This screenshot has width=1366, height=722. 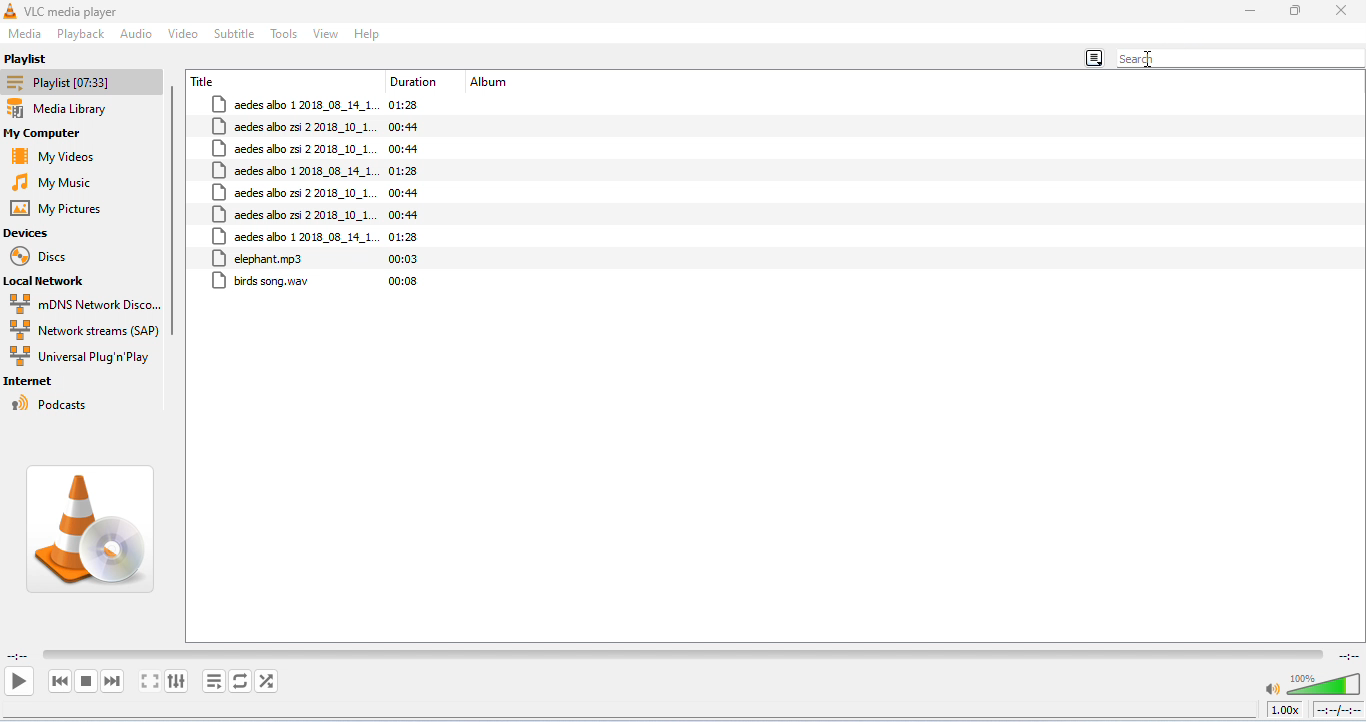 What do you see at coordinates (405, 259) in the screenshot?
I see `00:03` at bounding box center [405, 259].